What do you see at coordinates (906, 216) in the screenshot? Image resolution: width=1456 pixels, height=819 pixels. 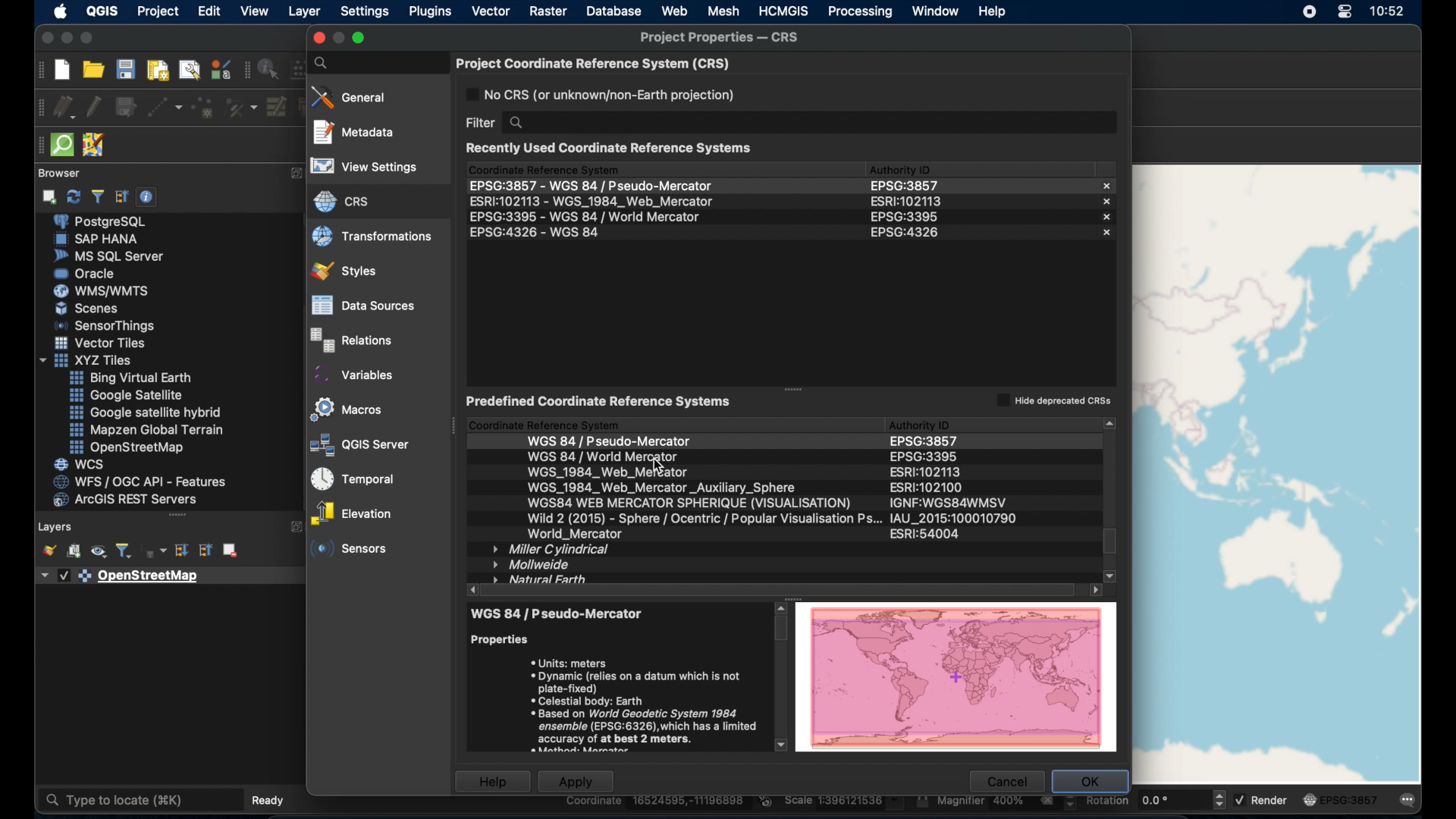 I see `epsg:3395` at bounding box center [906, 216].